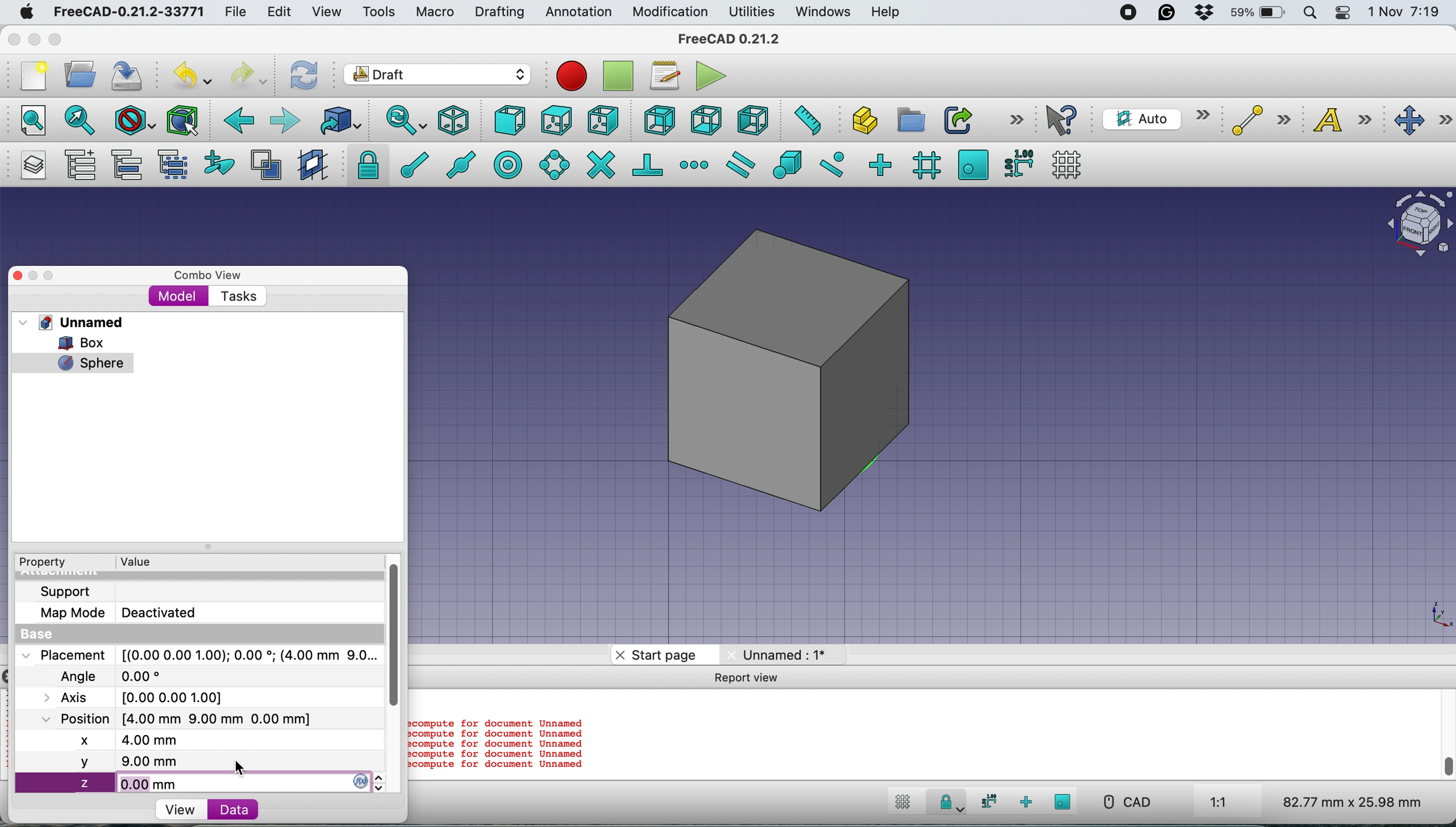 The image size is (1456, 827). I want to click on drafting, so click(499, 13).